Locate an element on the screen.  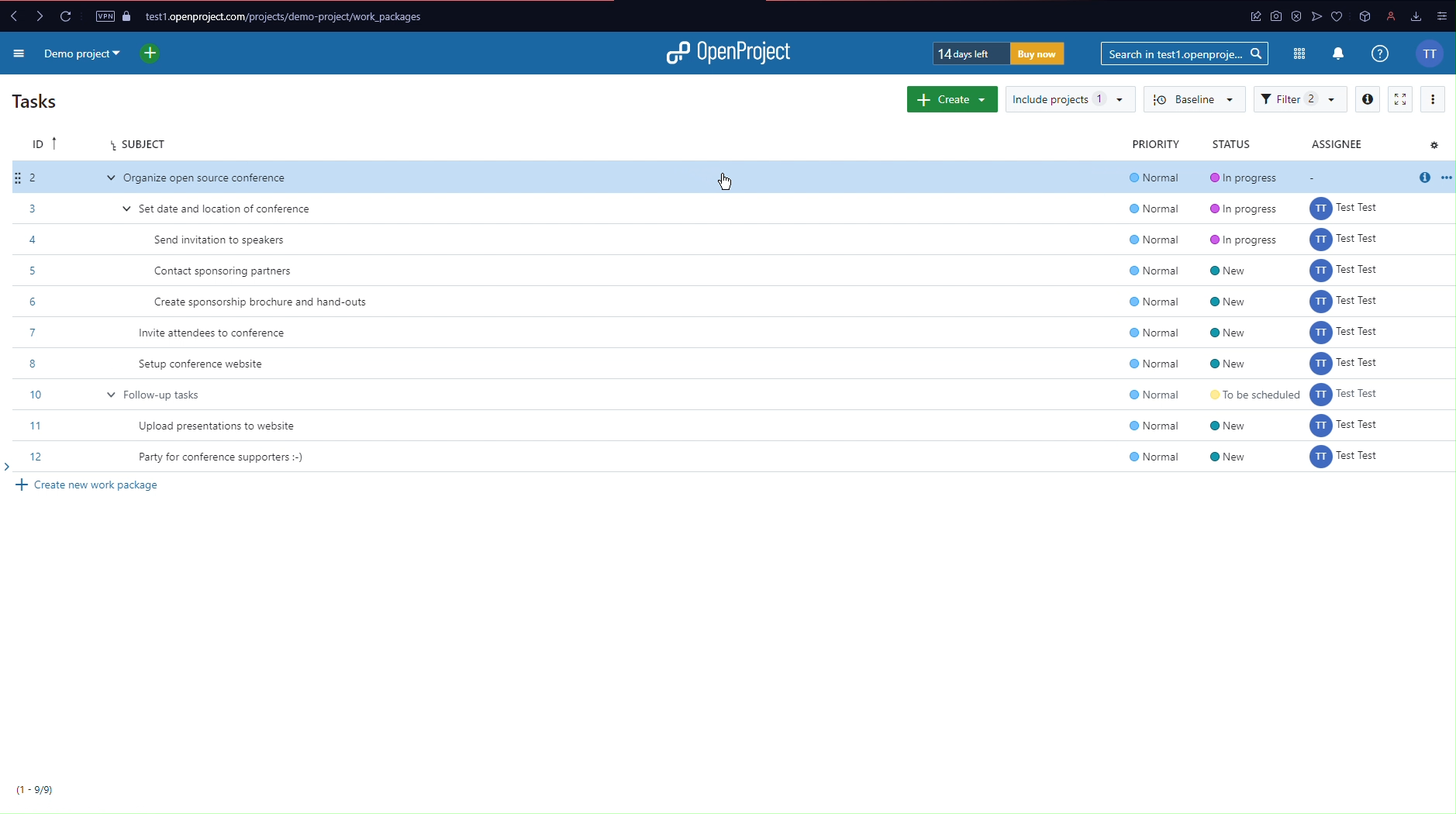
status info: new is located at coordinates (1251, 319).